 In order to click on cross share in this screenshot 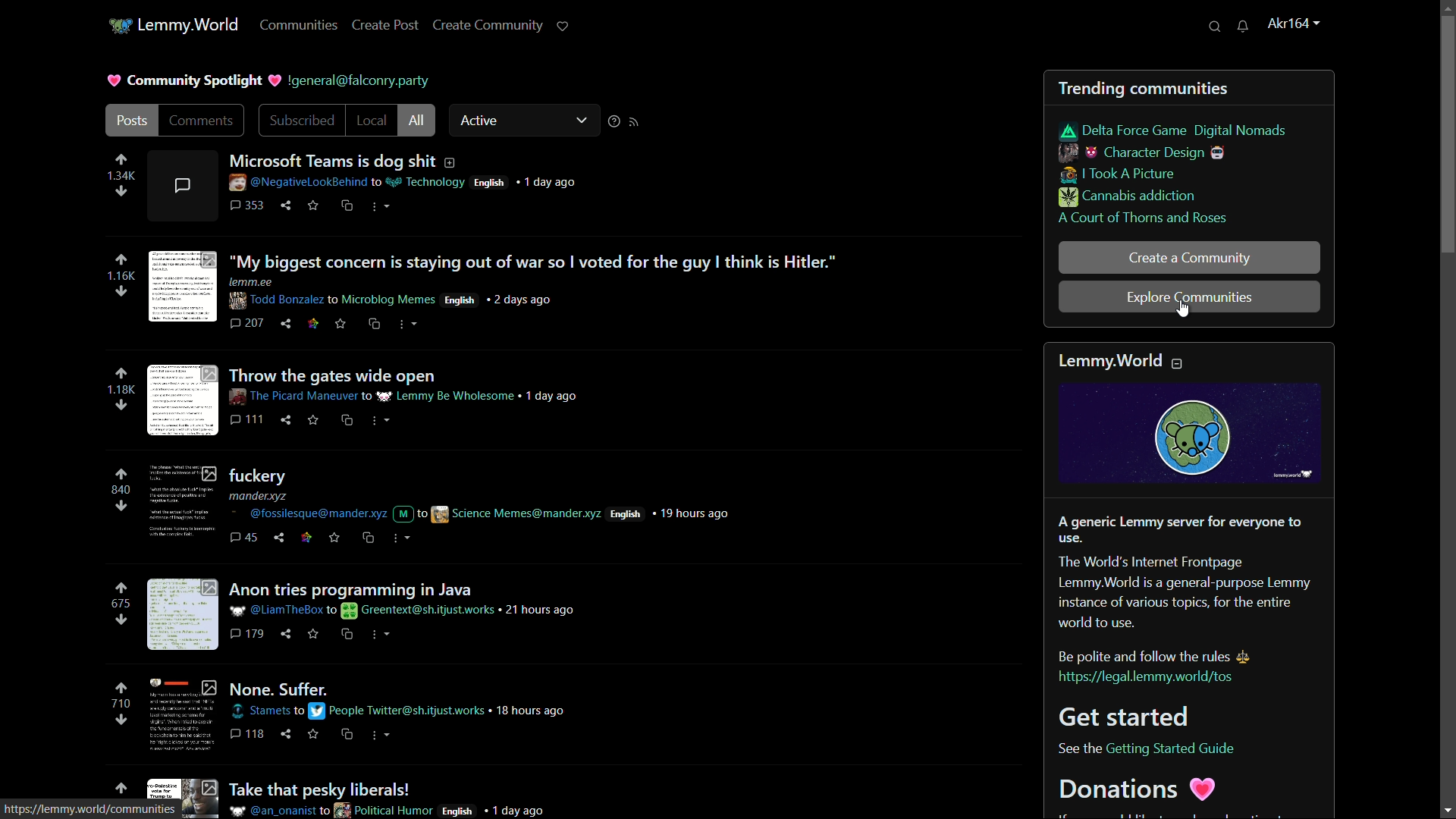, I will do `click(373, 324)`.